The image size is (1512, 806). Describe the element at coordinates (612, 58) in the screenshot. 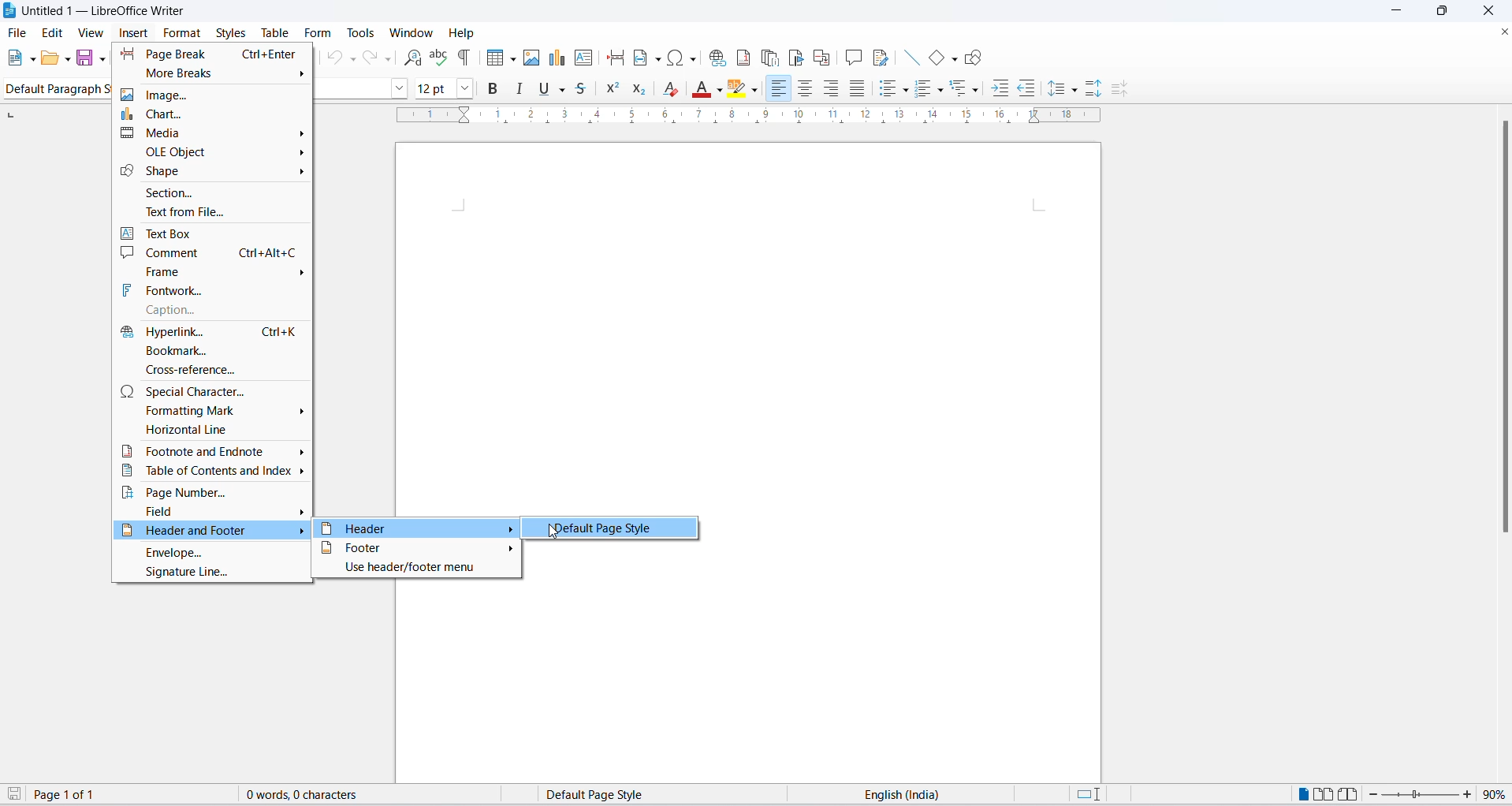

I see `insert page break` at that location.